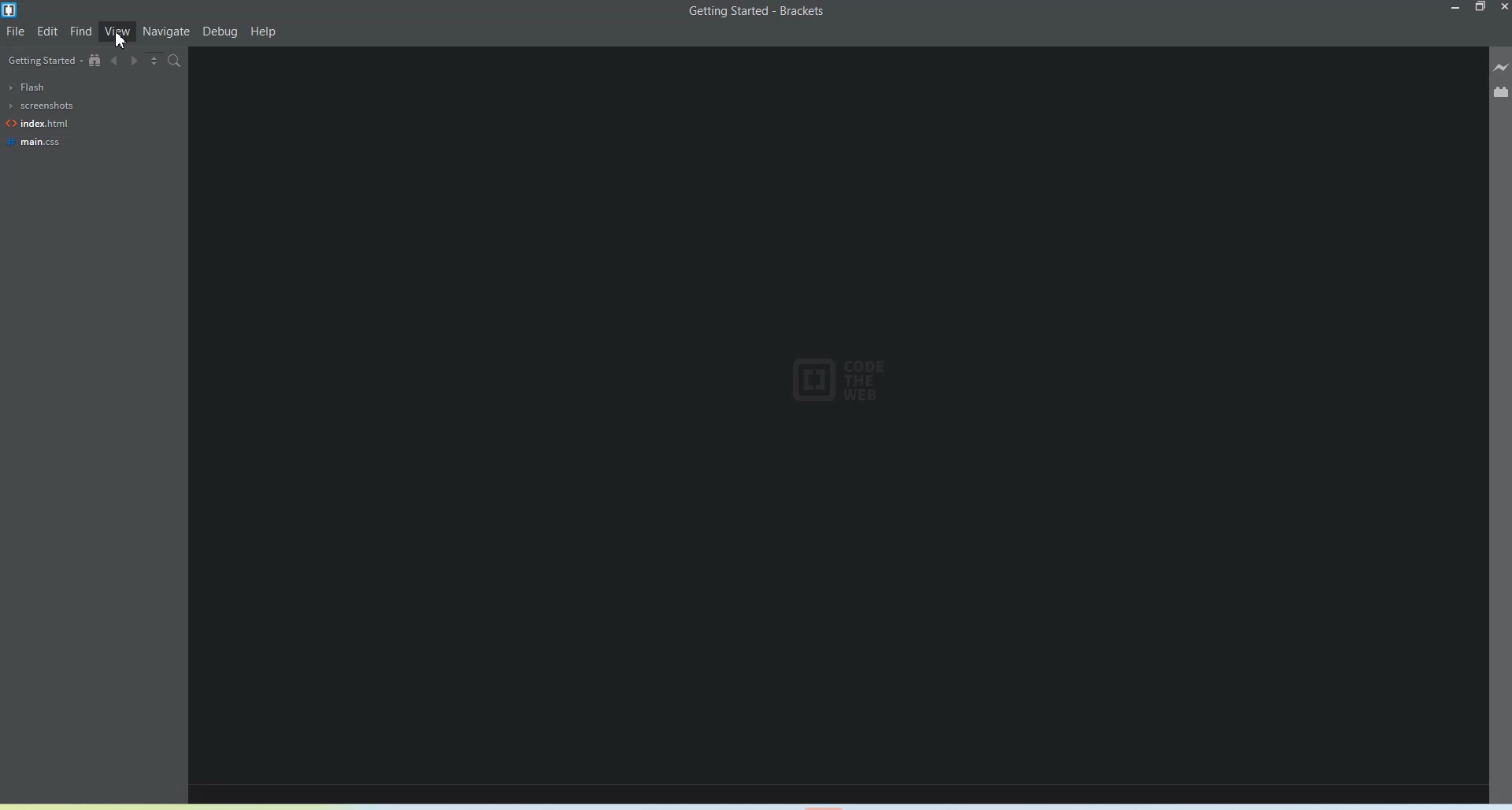 This screenshot has width=1512, height=810. Describe the element at coordinates (1481, 7) in the screenshot. I see `Maximize` at that location.